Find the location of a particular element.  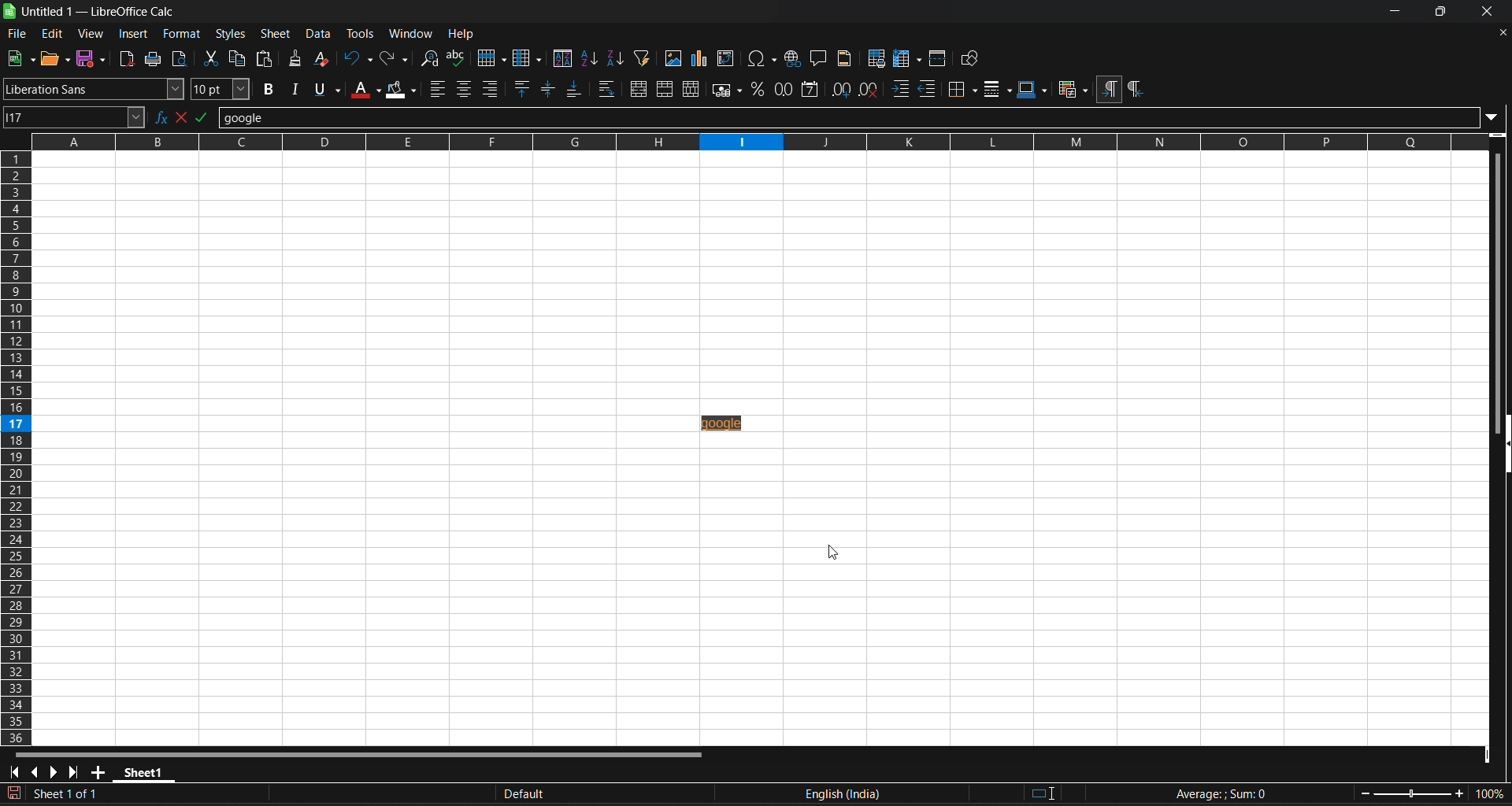

background color is located at coordinates (402, 88).